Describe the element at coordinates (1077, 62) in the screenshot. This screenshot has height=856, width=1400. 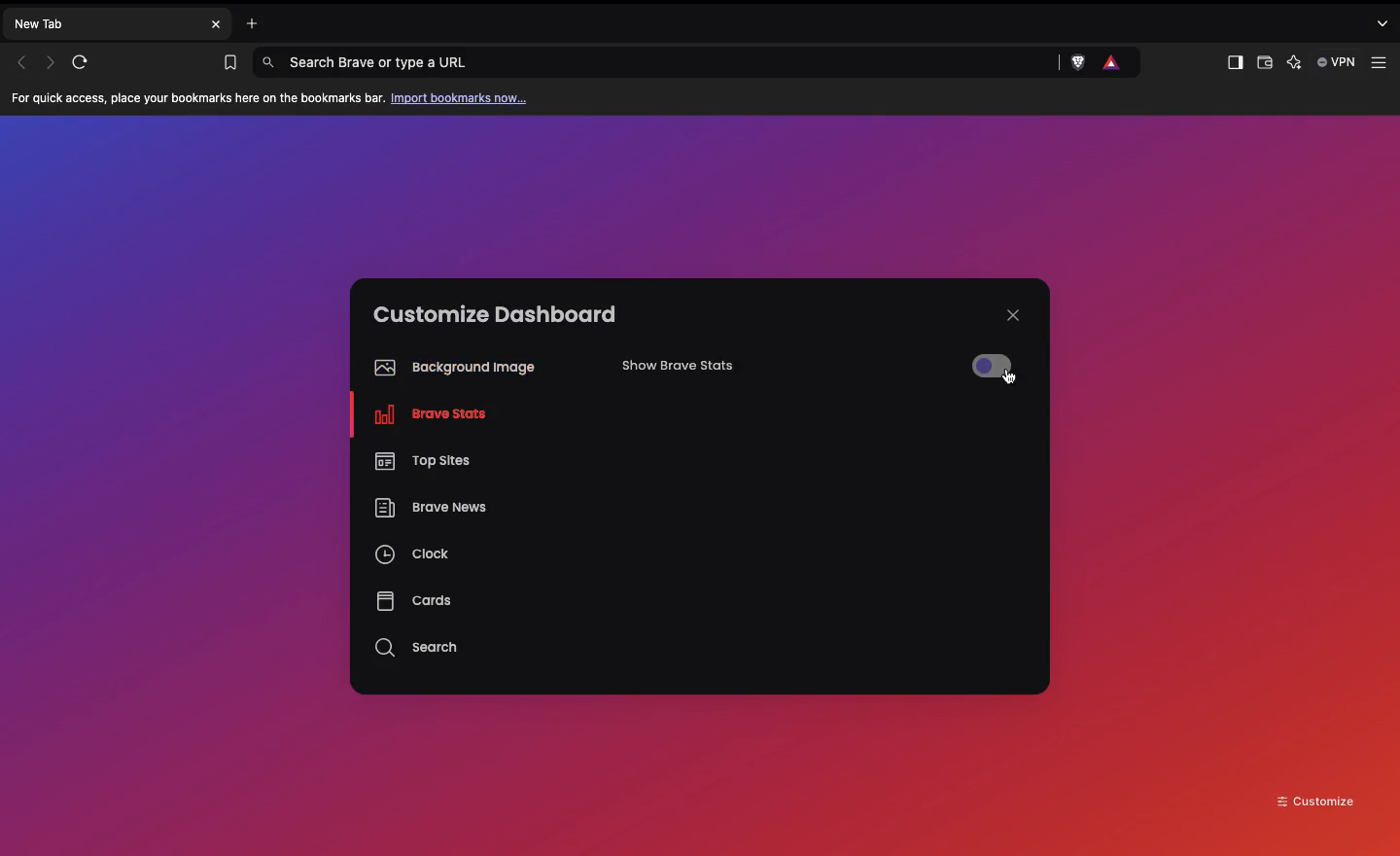
I see `Brave Shields` at that location.